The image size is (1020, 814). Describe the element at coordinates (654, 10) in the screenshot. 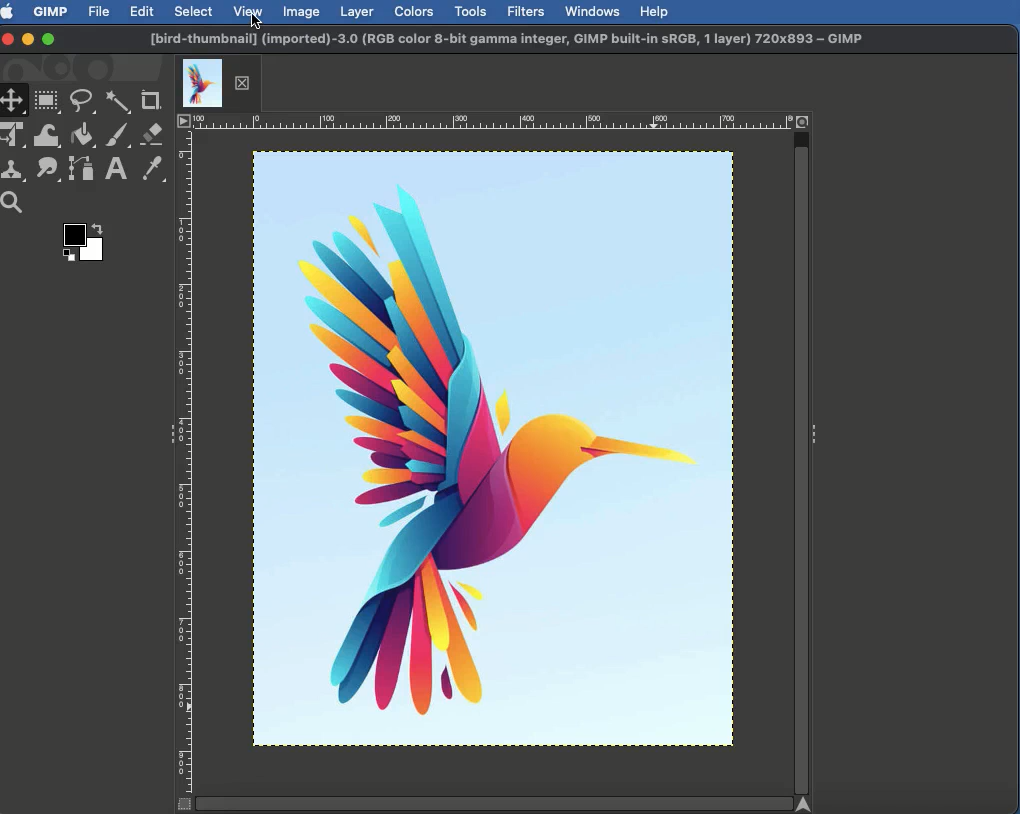

I see `Help` at that location.